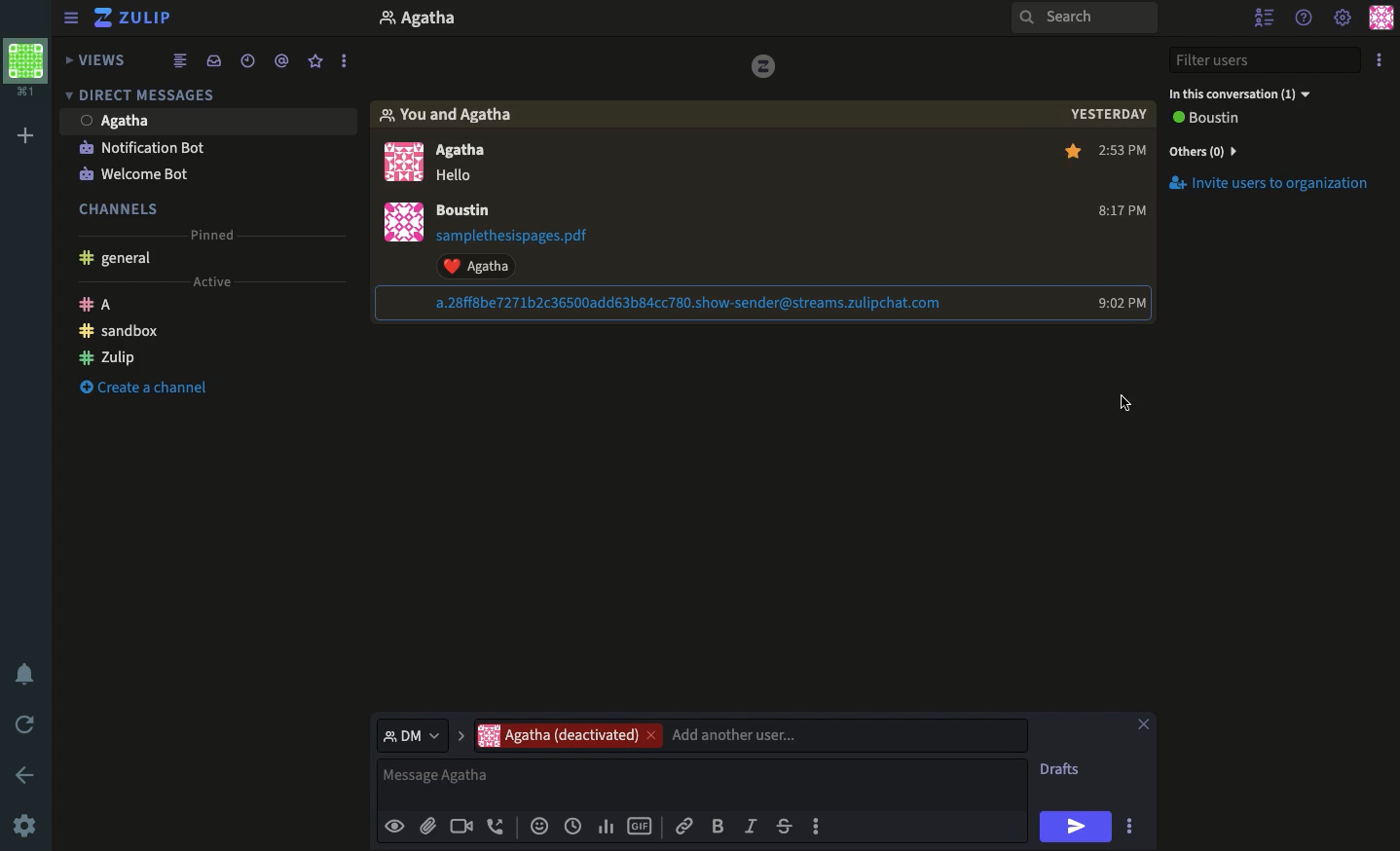 This screenshot has height=851, width=1400. I want to click on Notification bot, so click(142, 147).